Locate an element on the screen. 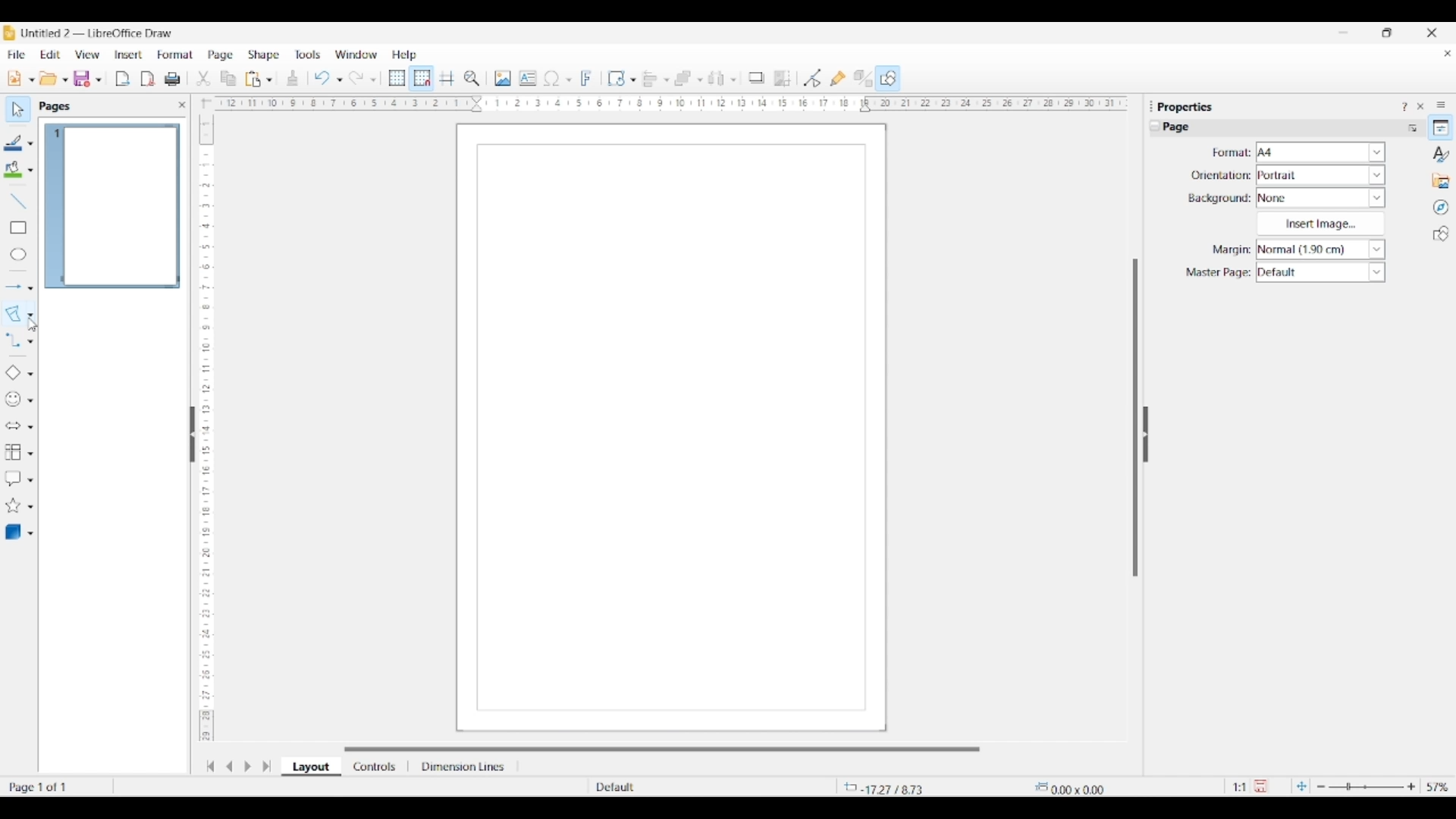 This screenshot has height=819, width=1456. Insert text box is located at coordinates (528, 78).